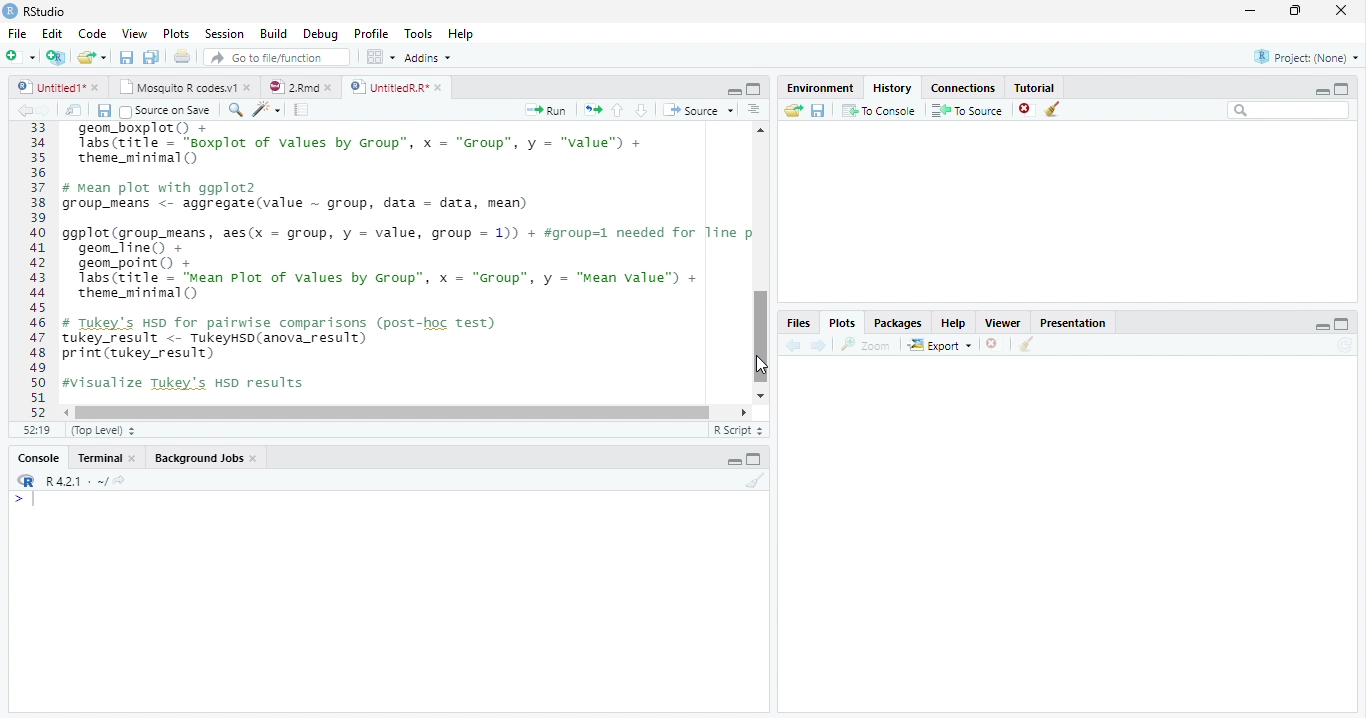 This screenshot has width=1366, height=718. Describe the element at coordinates (15, 31) in the screenshot. I see `File` at that location.